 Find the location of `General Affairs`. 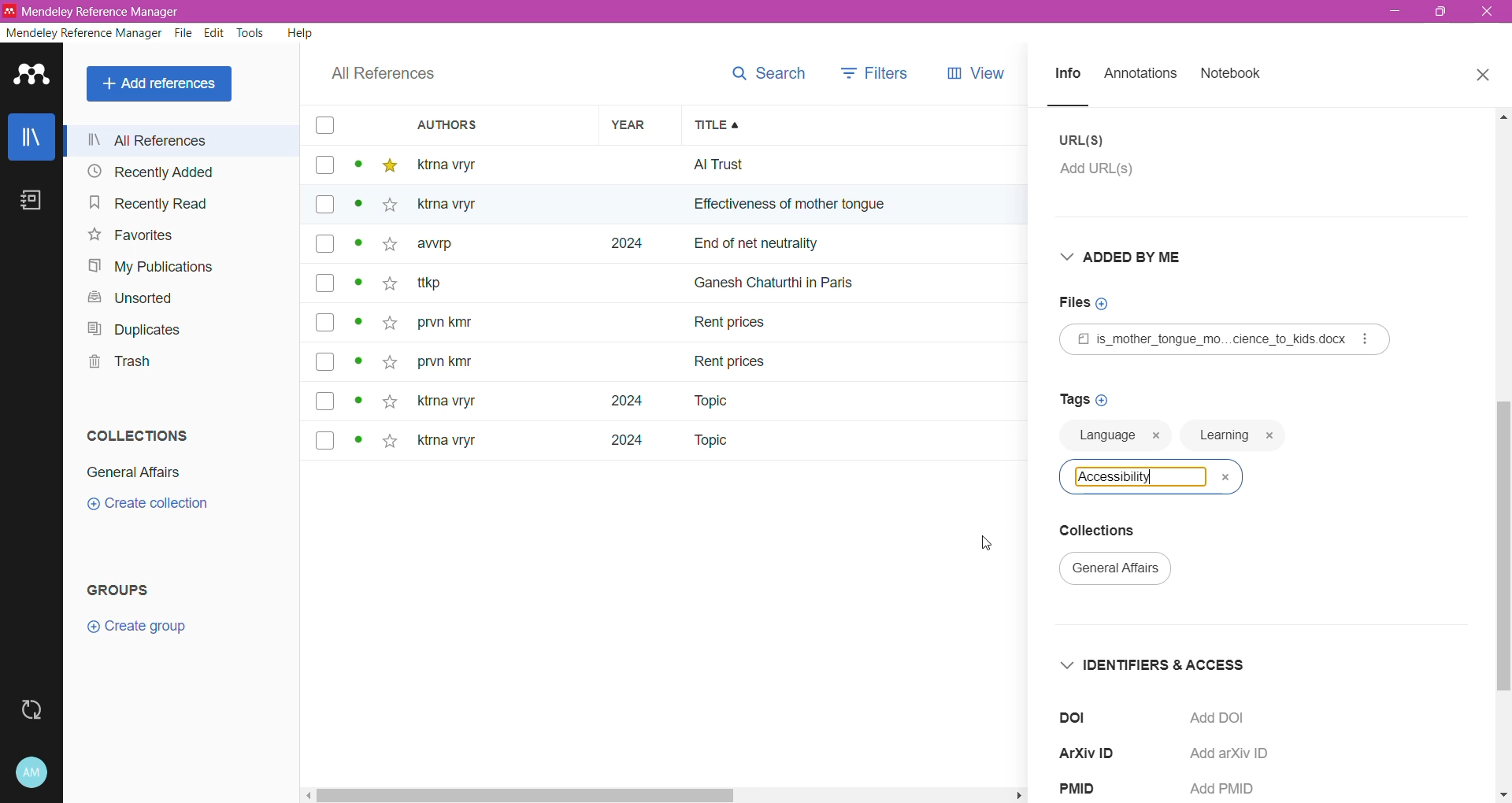

General Affairs is located at coordinates (134, 472).